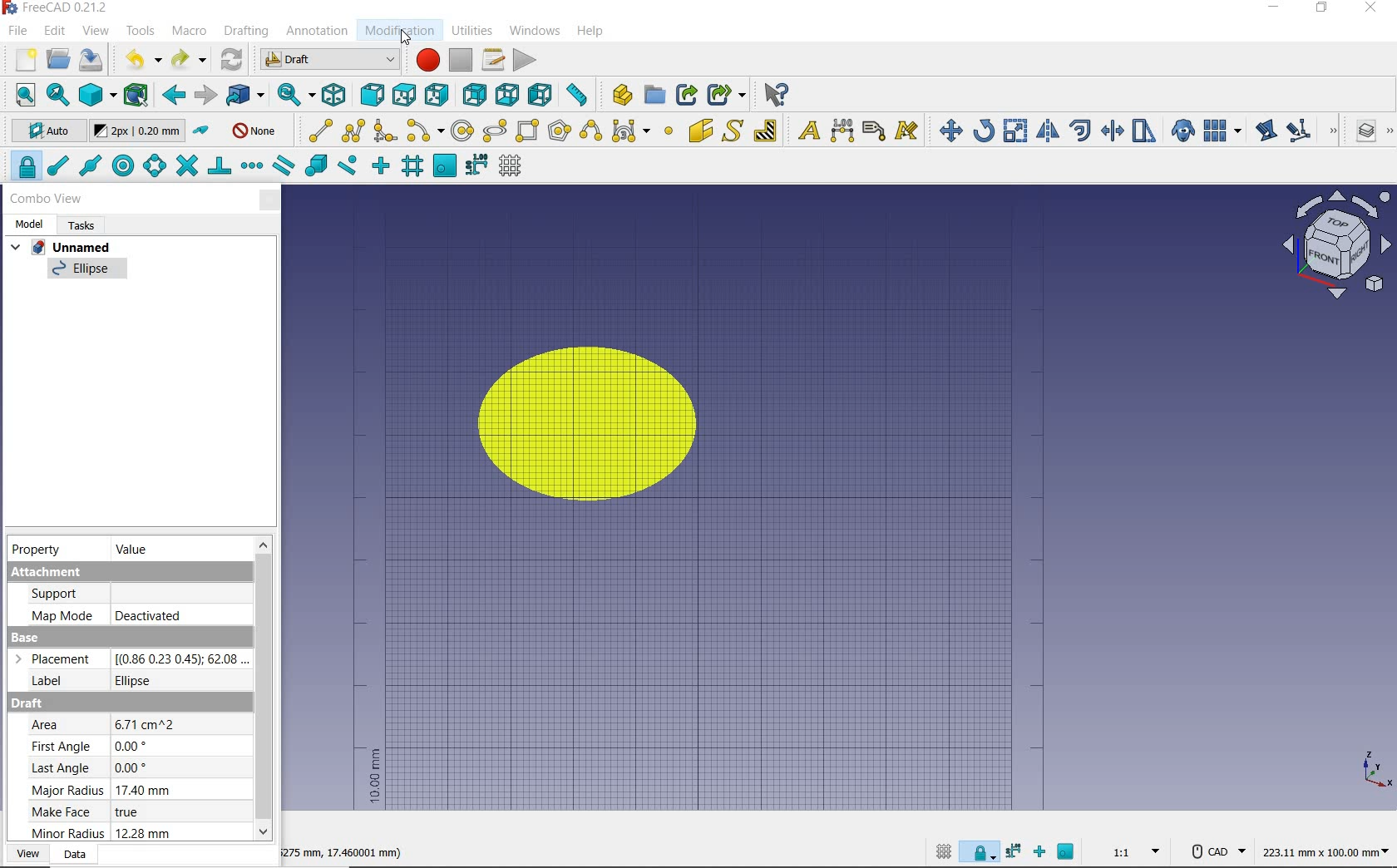 The width and height of the screenshot is (1397, 868). Describe the element at coordinates (86, 226) in the screenshot. I see `tasks` at that location.